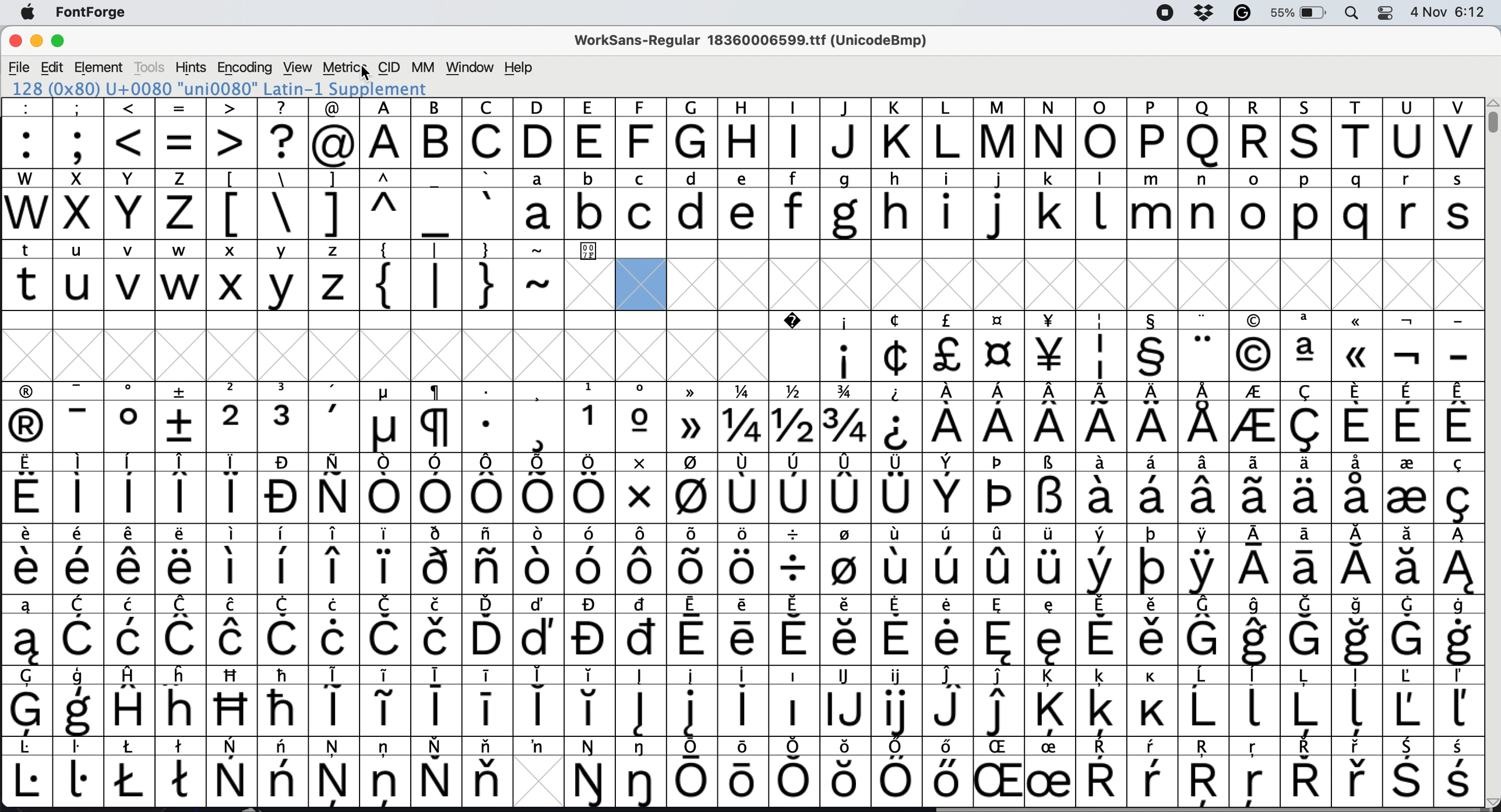 This screenshot has height=812, width=1501. I want to click on MM, so click(426, 66).